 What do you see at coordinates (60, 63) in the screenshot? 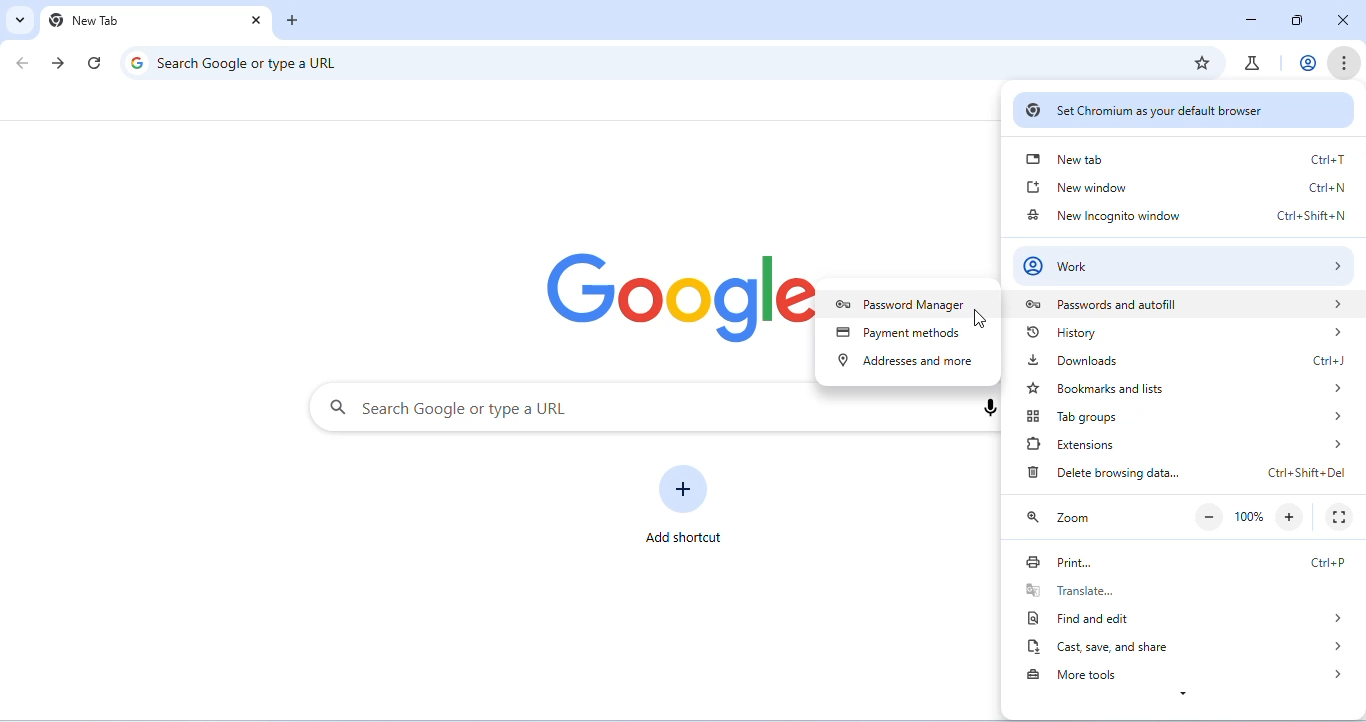
I see `go forward` at bounding box center [60, 63].